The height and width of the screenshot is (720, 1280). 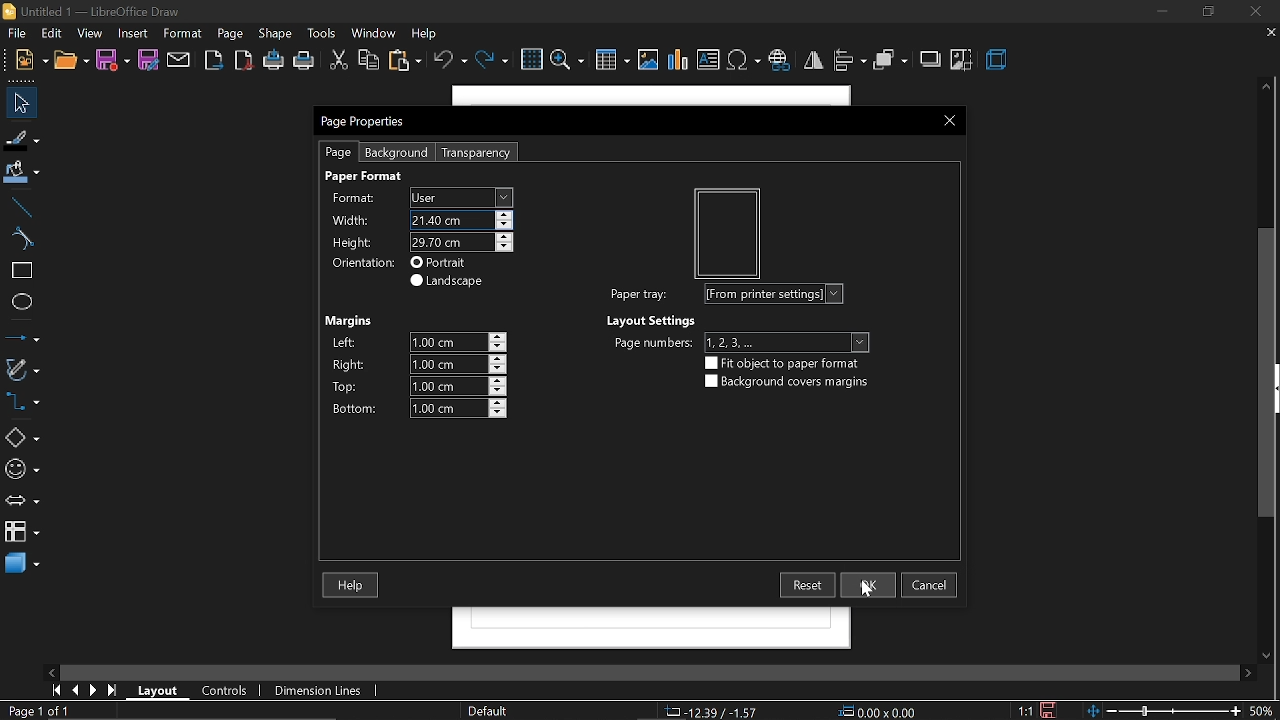 What do you see at coordinates (214, 61) in the screenshot?
I see `export` at bounding box center [214, 61].